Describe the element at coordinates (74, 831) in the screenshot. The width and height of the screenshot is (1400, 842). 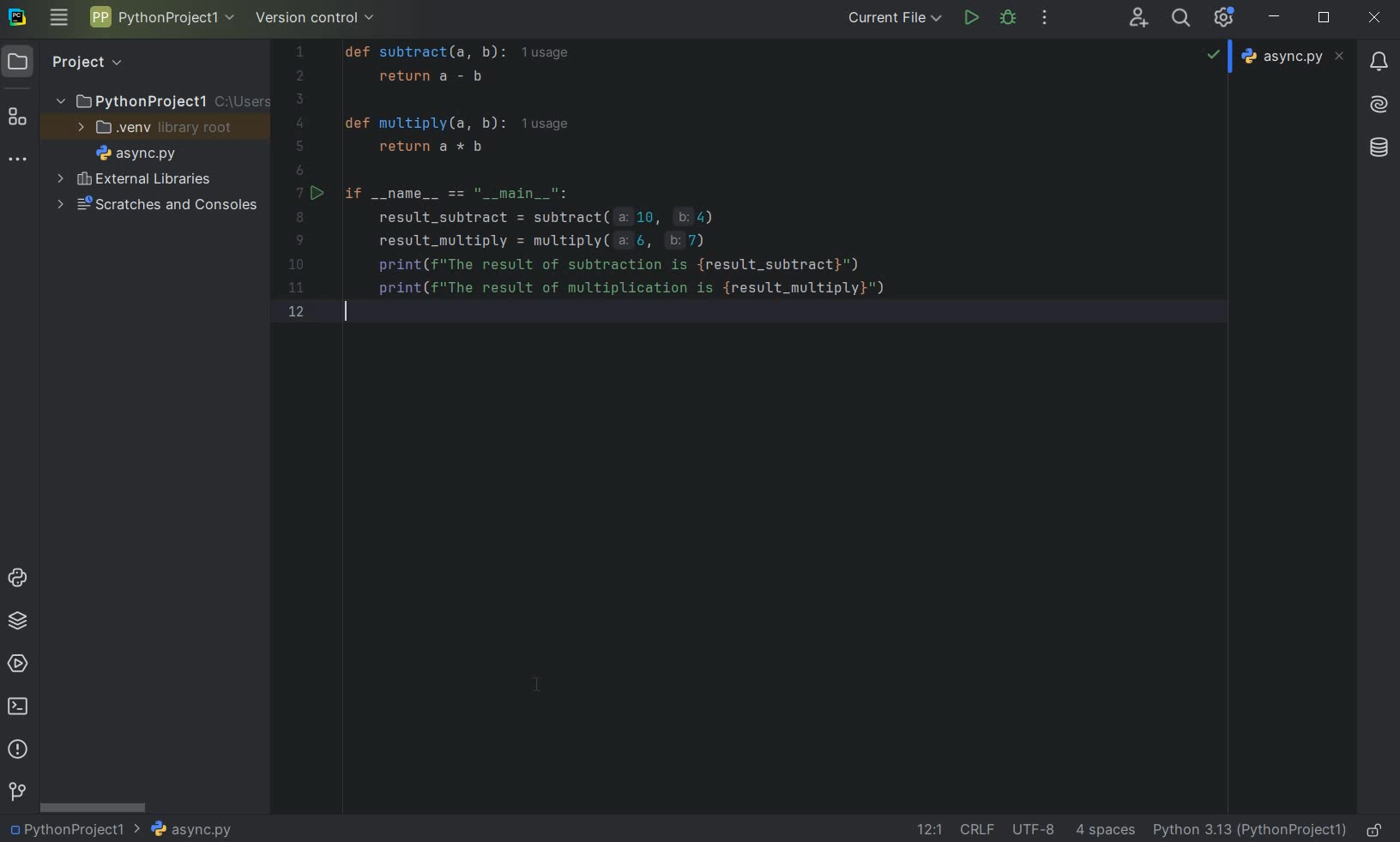
I see `project name` at that location.